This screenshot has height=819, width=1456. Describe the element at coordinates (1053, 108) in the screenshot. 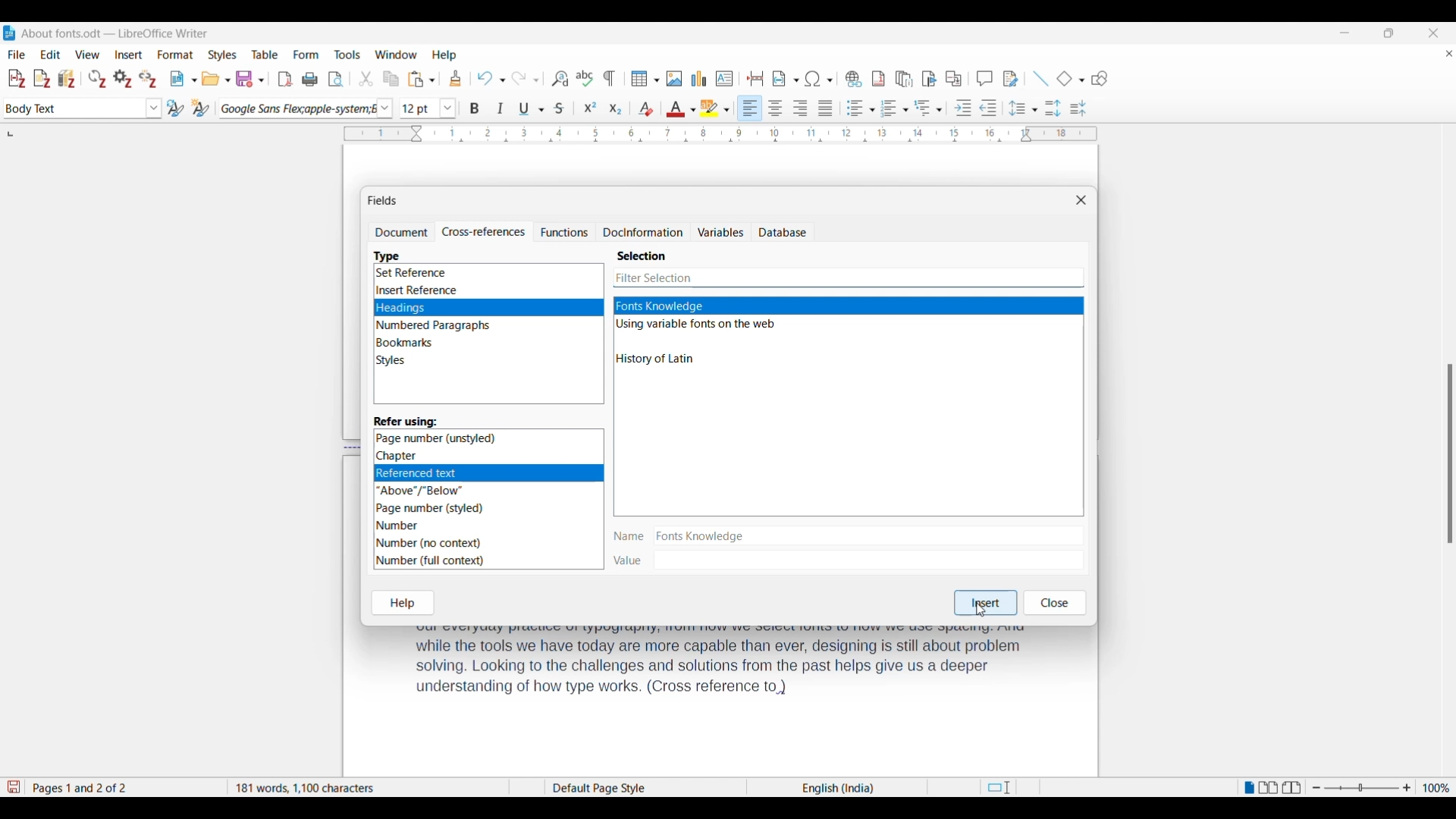

I see `Increase paragraph spacing` at that location.